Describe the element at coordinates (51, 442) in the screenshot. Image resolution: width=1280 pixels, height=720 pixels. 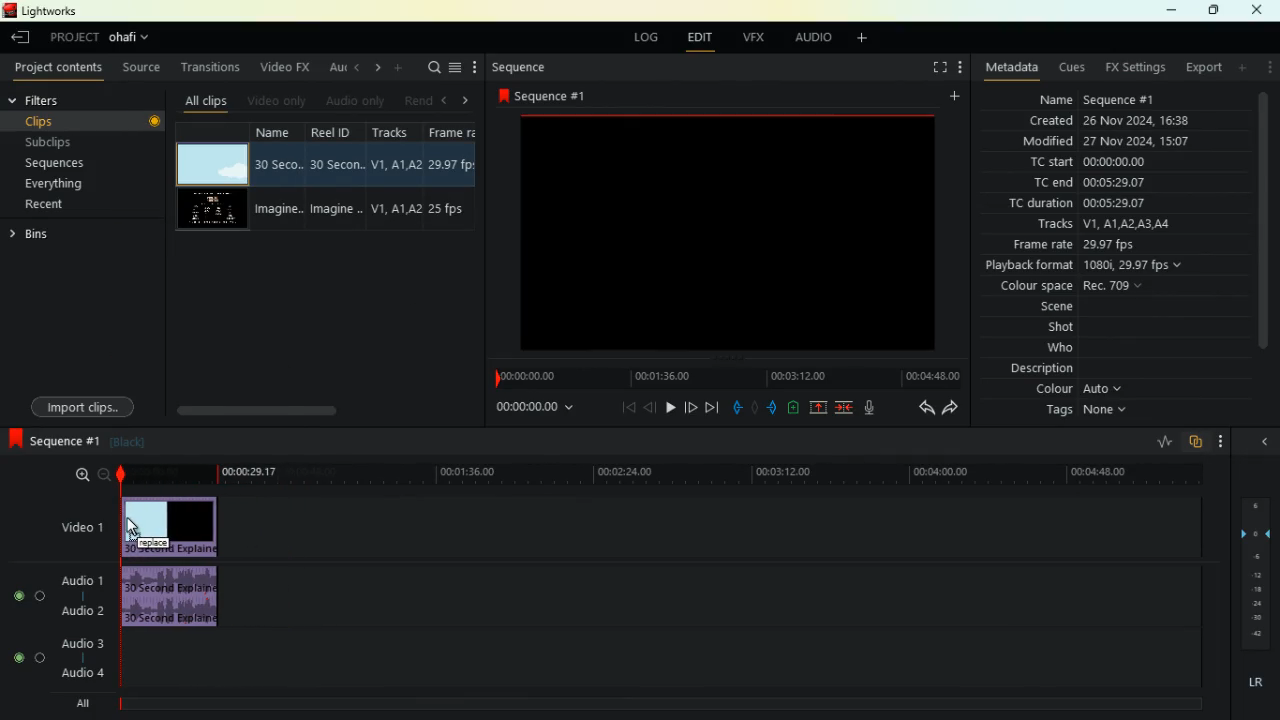
I see `sequence` at that location.